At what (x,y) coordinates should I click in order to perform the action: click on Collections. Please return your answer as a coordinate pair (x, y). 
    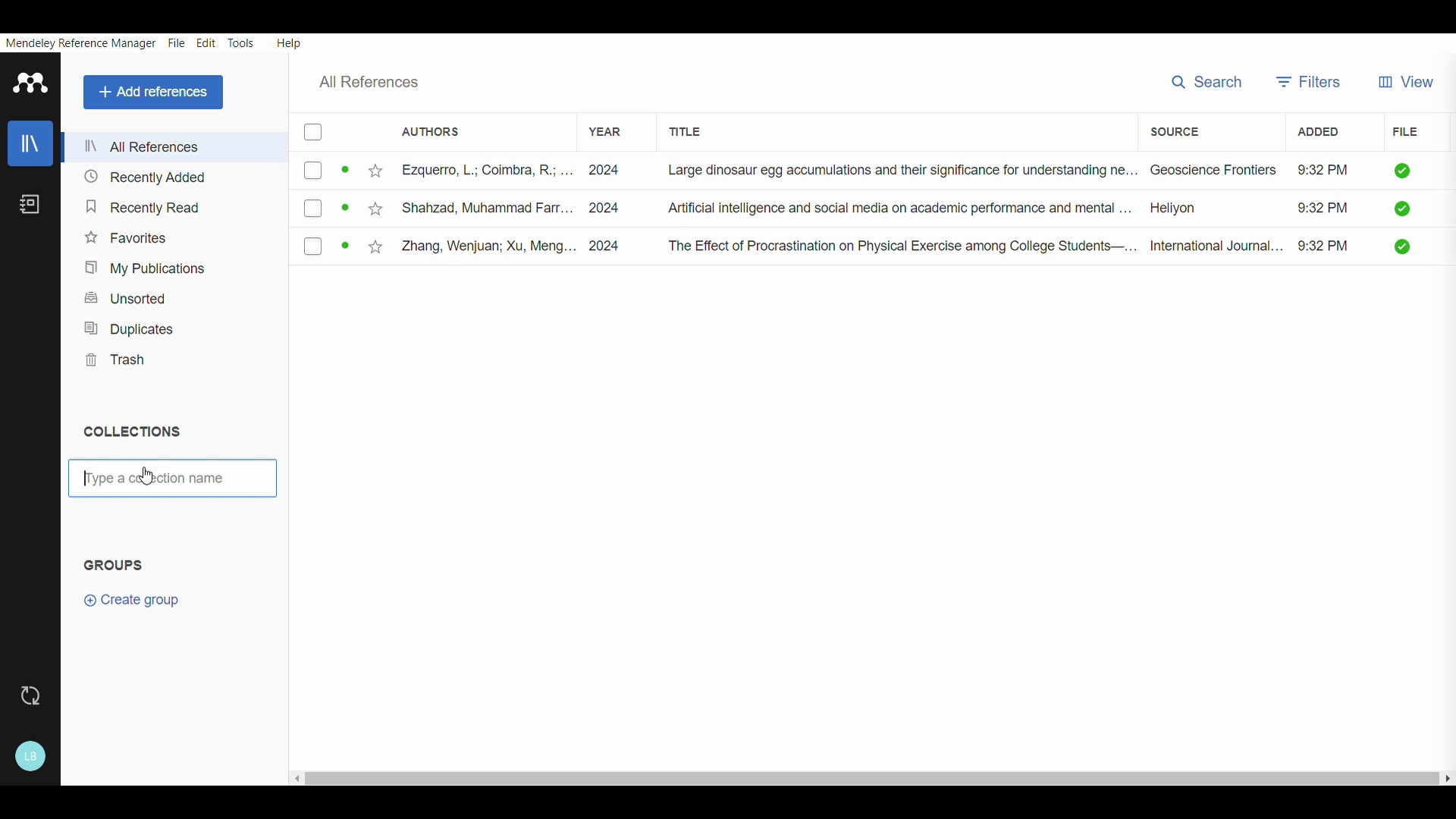
    Looking at the image, I should click on (140, 432).